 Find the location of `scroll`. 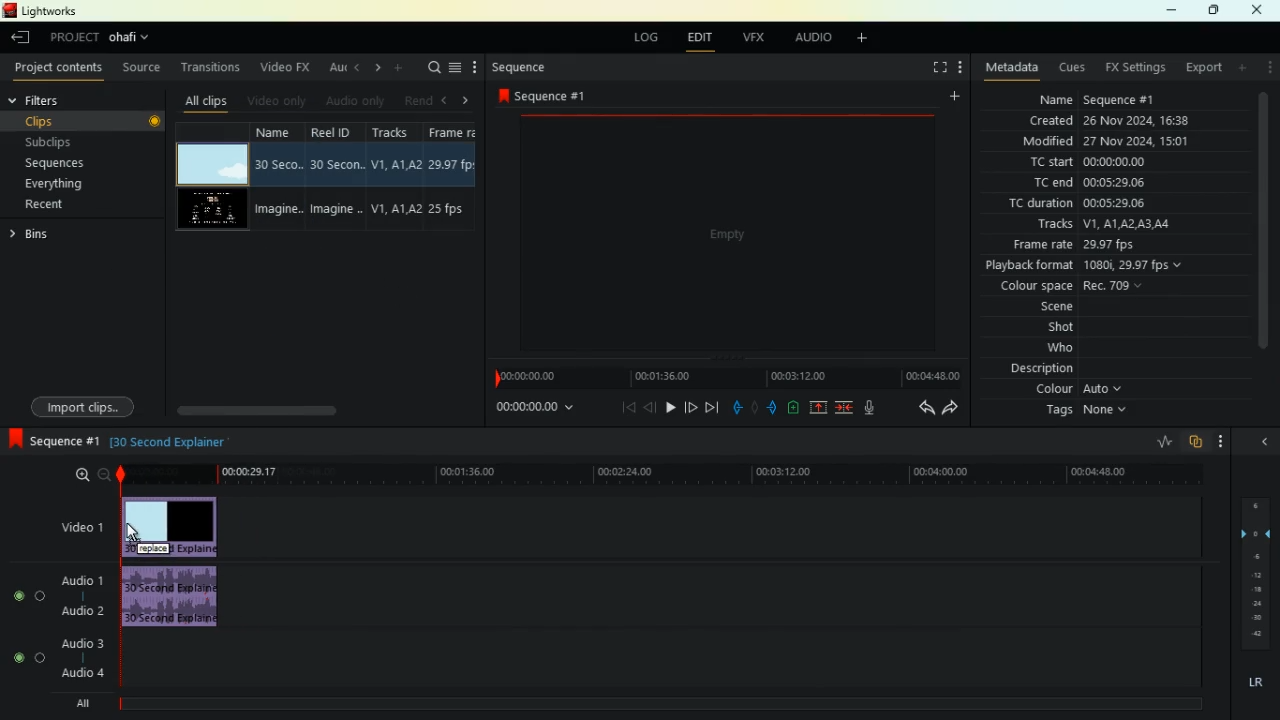

scroll is located at coordinates (281, 408).